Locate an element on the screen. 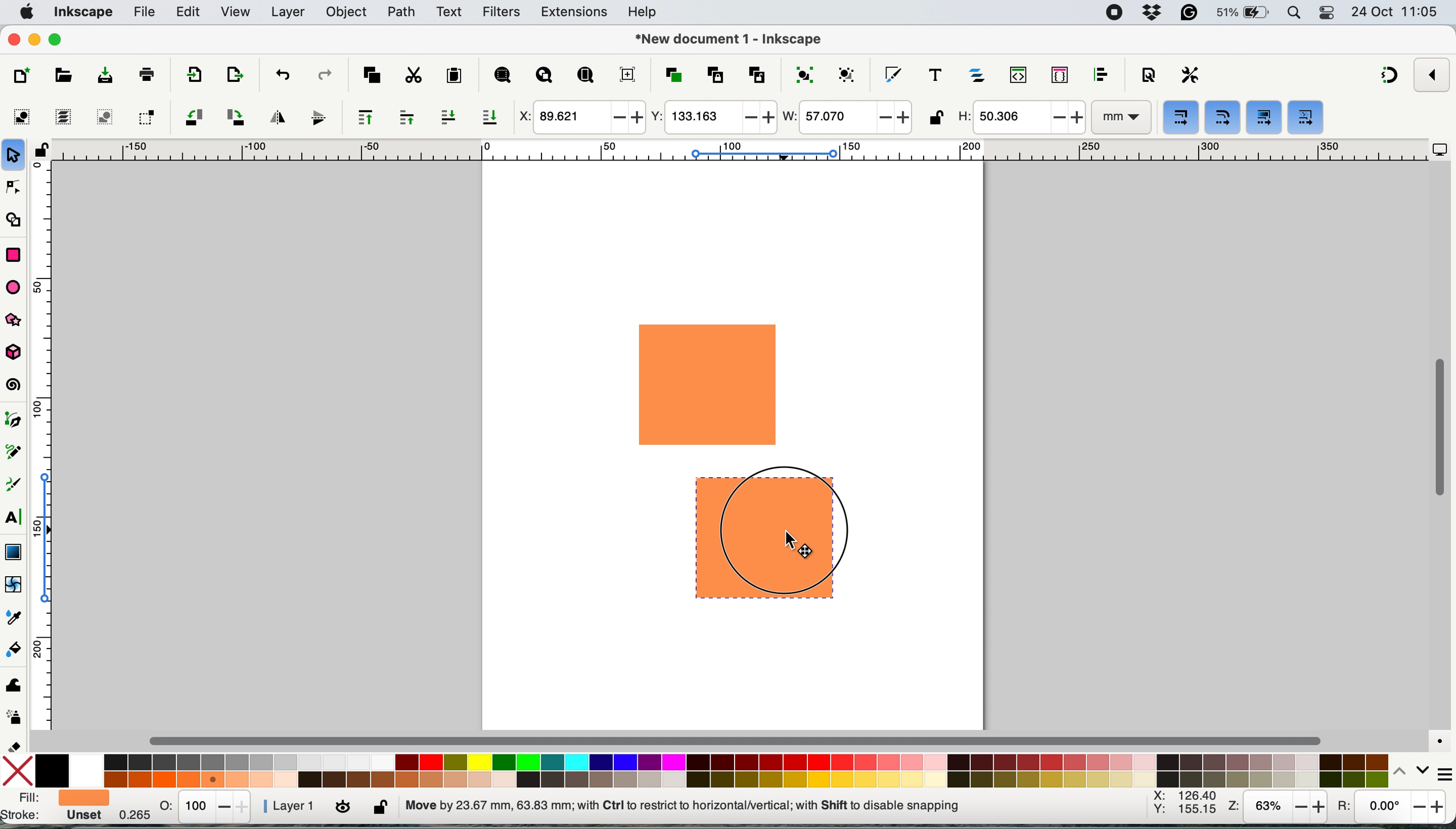 This screenshot has height=829, width=1456. screen recorder is located at coordinates (1114, 13).